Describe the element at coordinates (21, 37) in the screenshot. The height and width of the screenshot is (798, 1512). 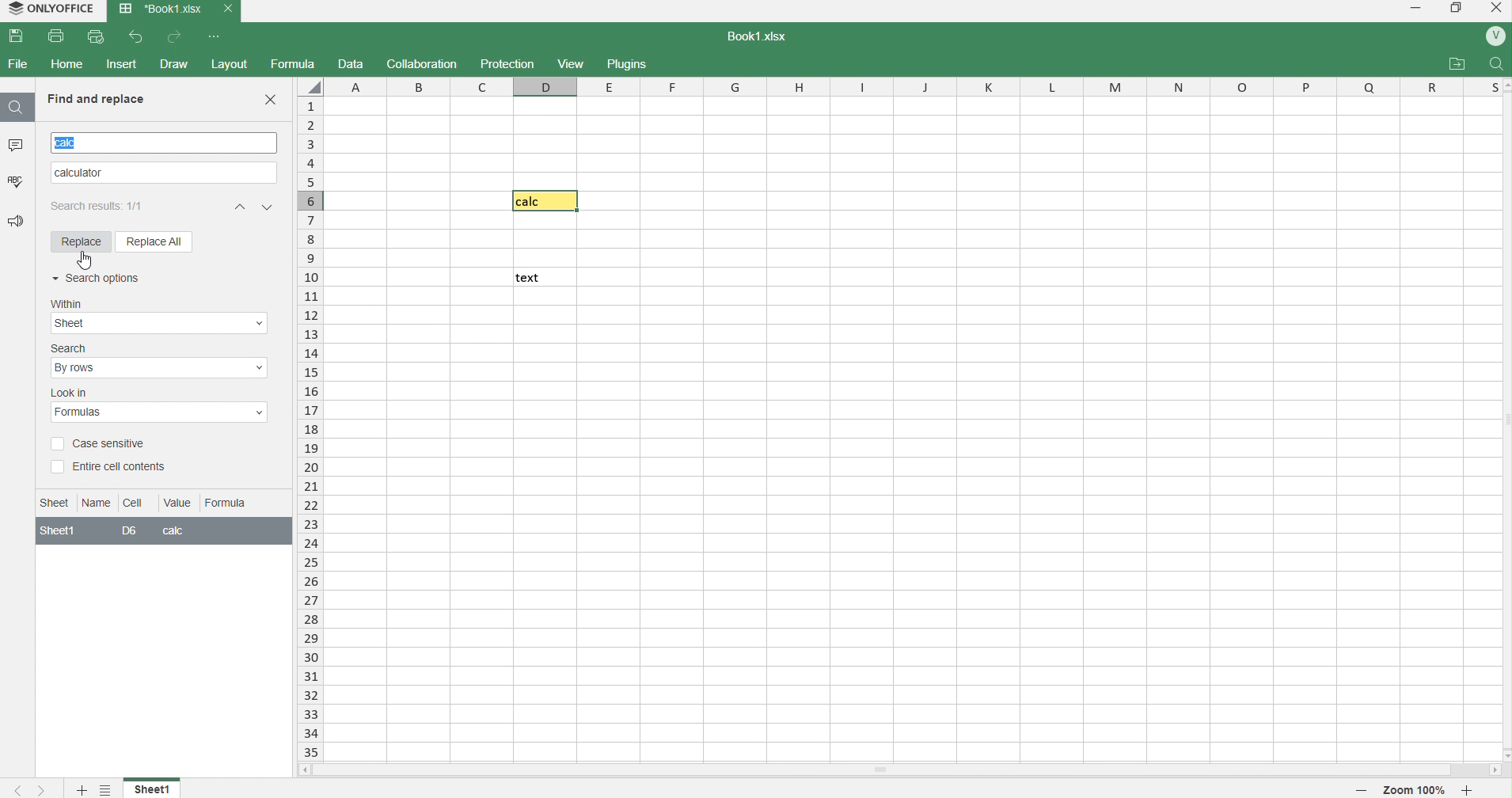
I see `save` at that location.